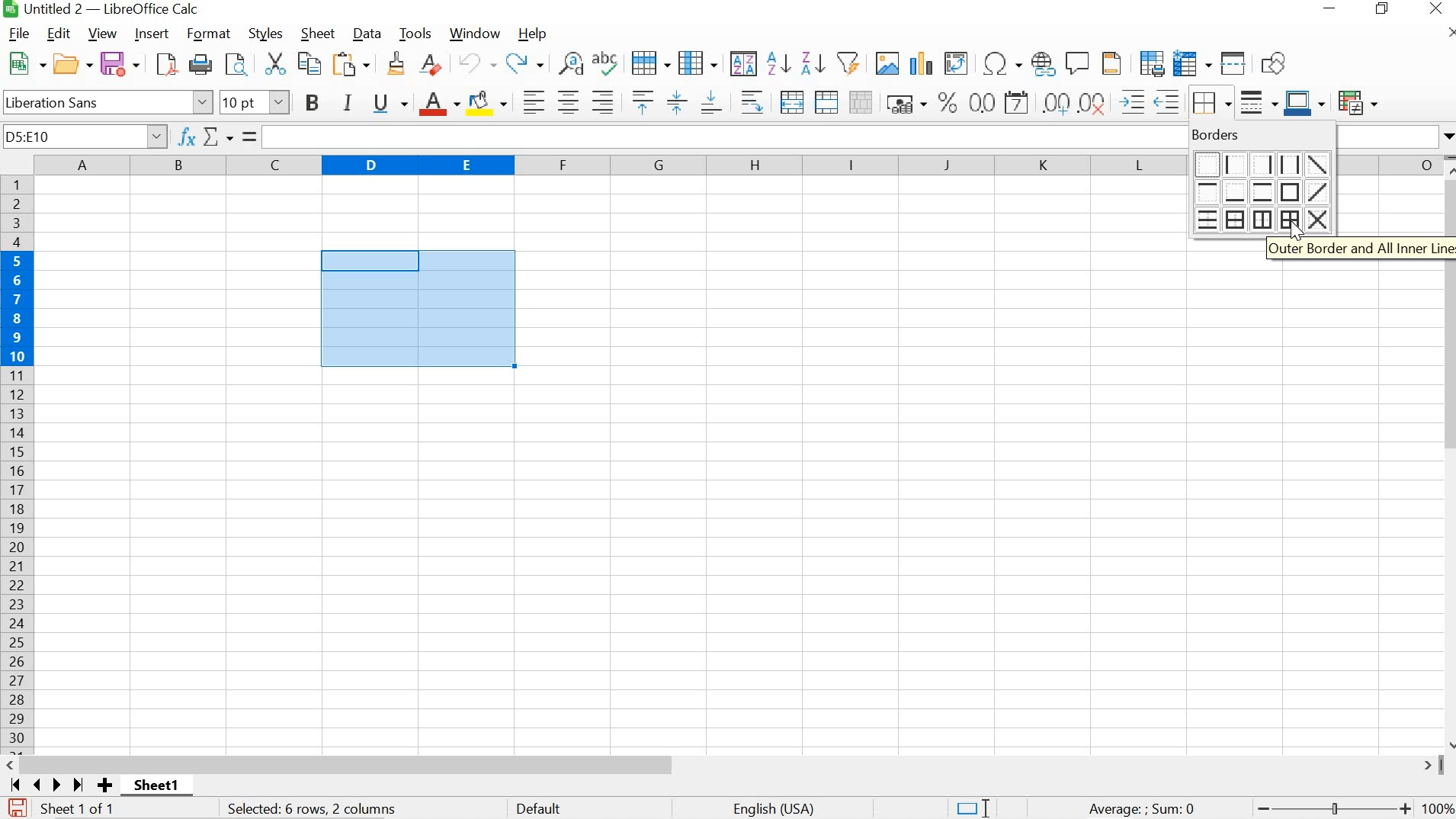 This screenshot has height=819, width=1456. Describe the element at coordinates (1381, 9) in the screenshot. I see `RESTORE DOWN` at that location.